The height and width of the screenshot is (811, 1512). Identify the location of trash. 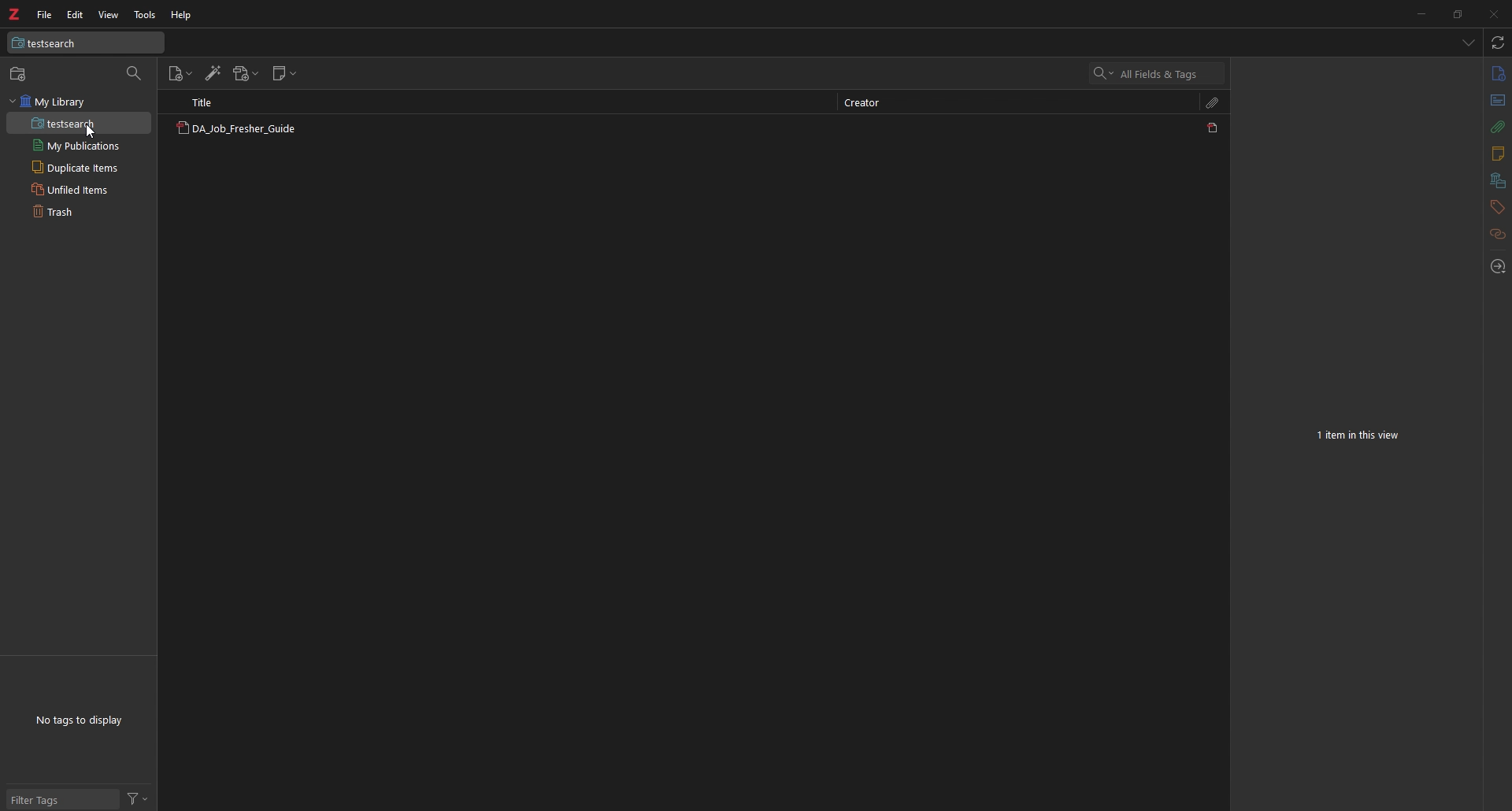
(78, 210).